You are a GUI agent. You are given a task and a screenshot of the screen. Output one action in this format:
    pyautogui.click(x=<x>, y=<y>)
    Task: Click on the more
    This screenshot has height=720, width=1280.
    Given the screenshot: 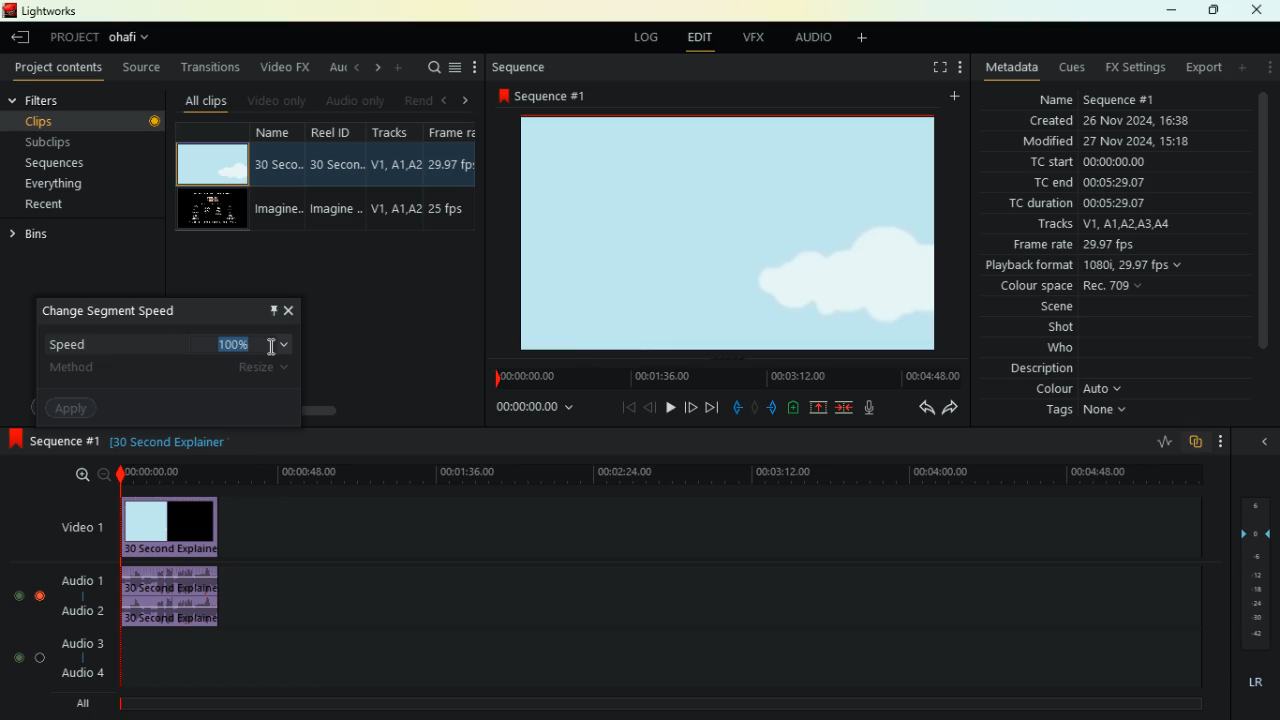 What is the action you would take?
    pyautogui.click(x=1221, y=441)
    